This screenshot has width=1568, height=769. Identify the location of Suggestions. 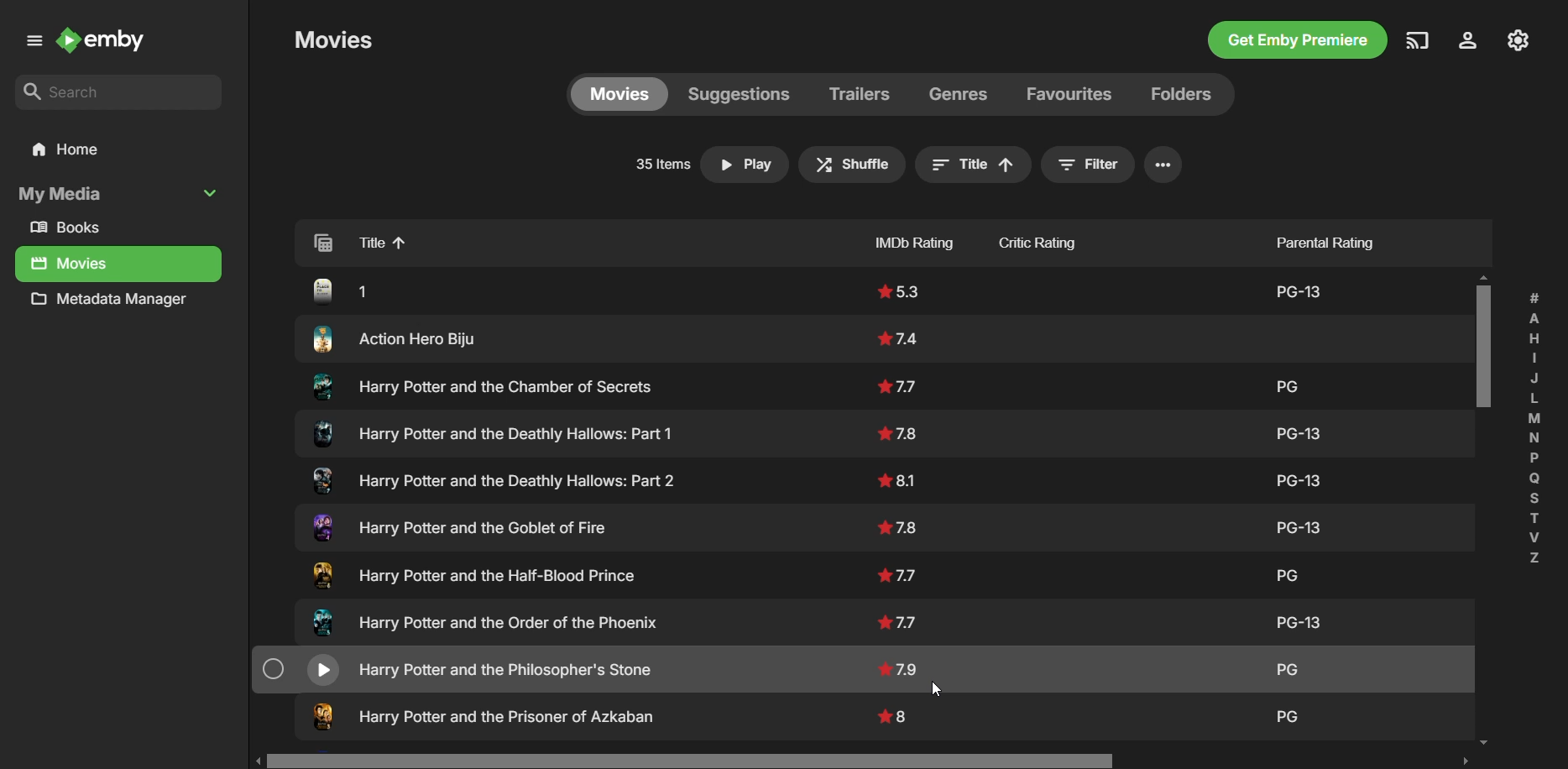
(738, 93).